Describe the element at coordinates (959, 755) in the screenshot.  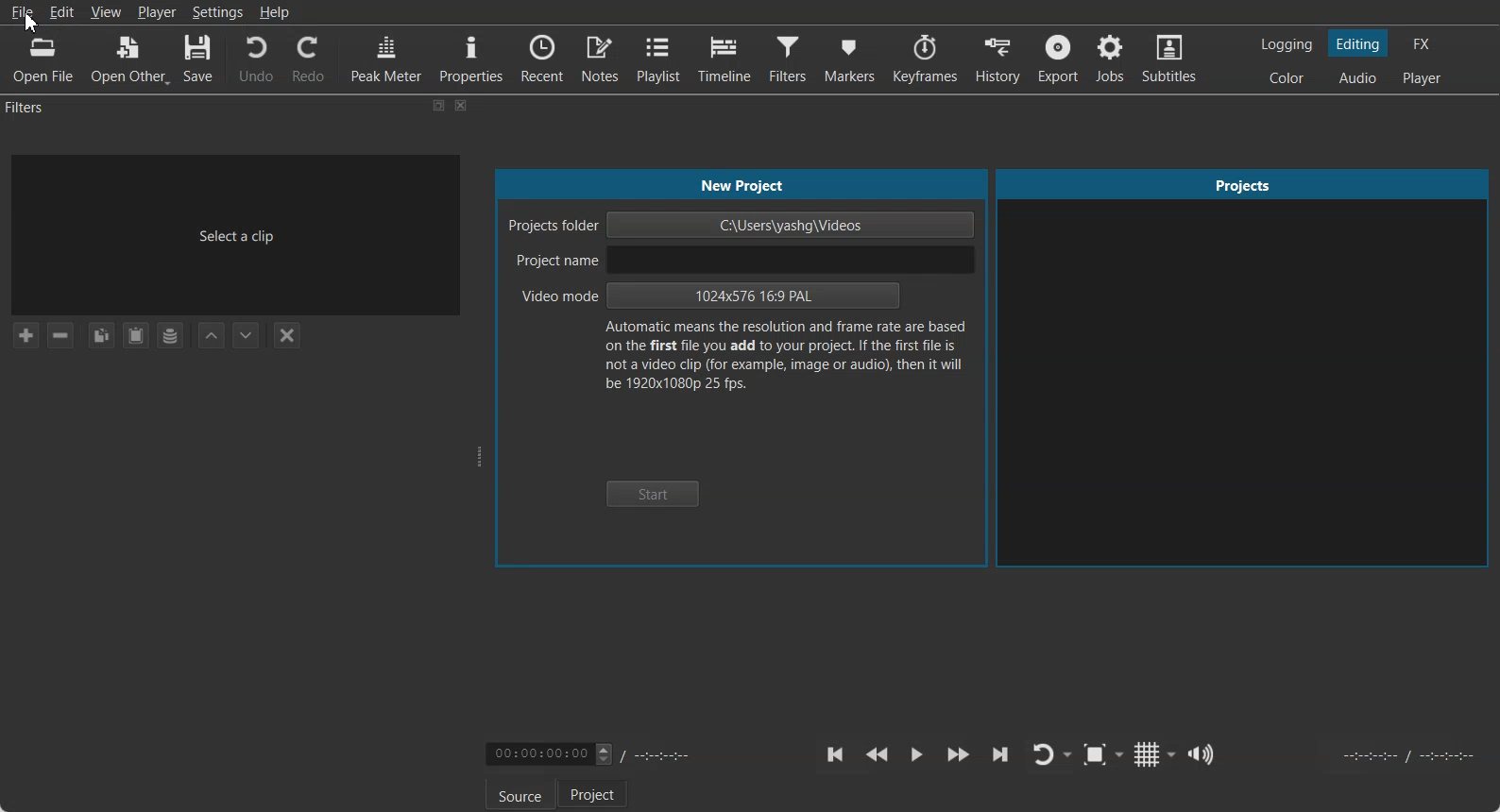
I see `Play quickly forward` at that location.